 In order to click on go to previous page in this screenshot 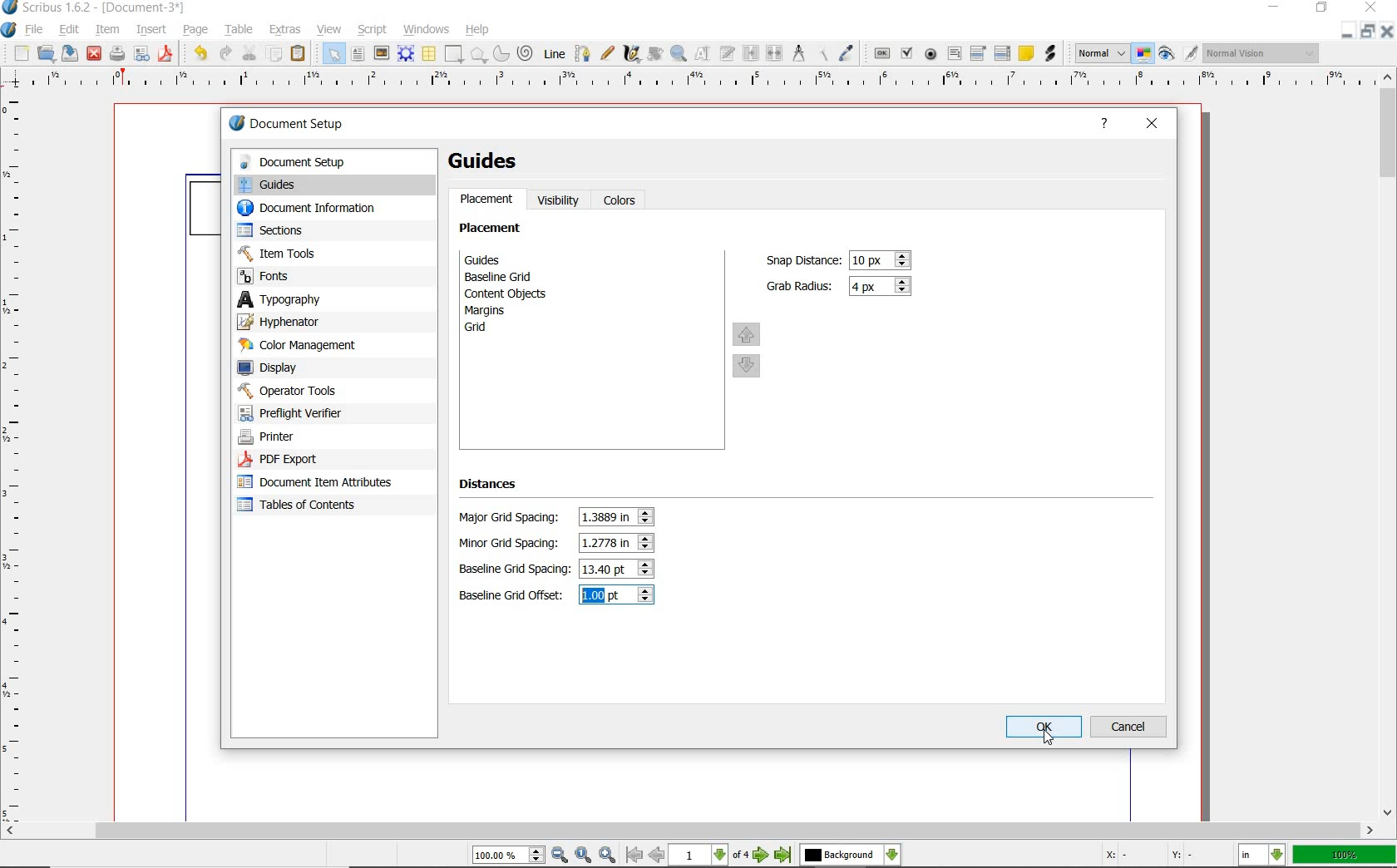, I will do `click(658, 856)`.